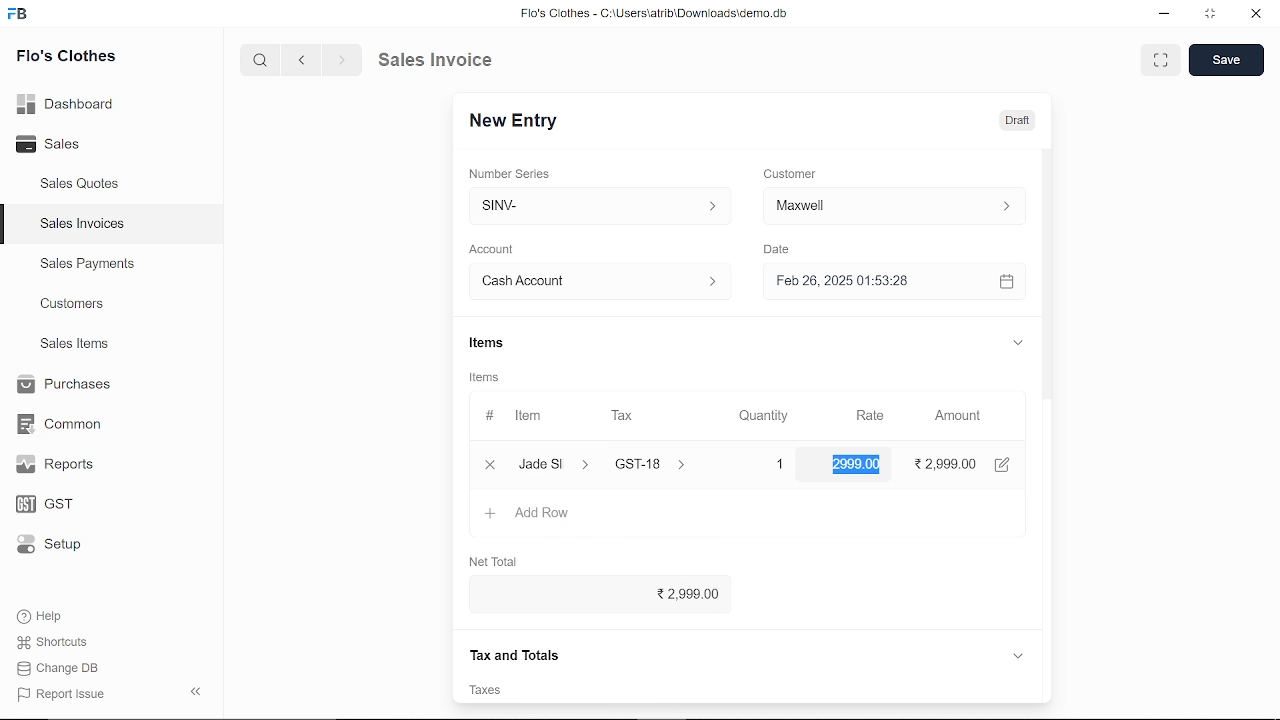 The height and width of the screenshot is (720, 1280). Describe the element at coordinates (89, 226) in the screenshot. I see `Sales Invoices` at that location.